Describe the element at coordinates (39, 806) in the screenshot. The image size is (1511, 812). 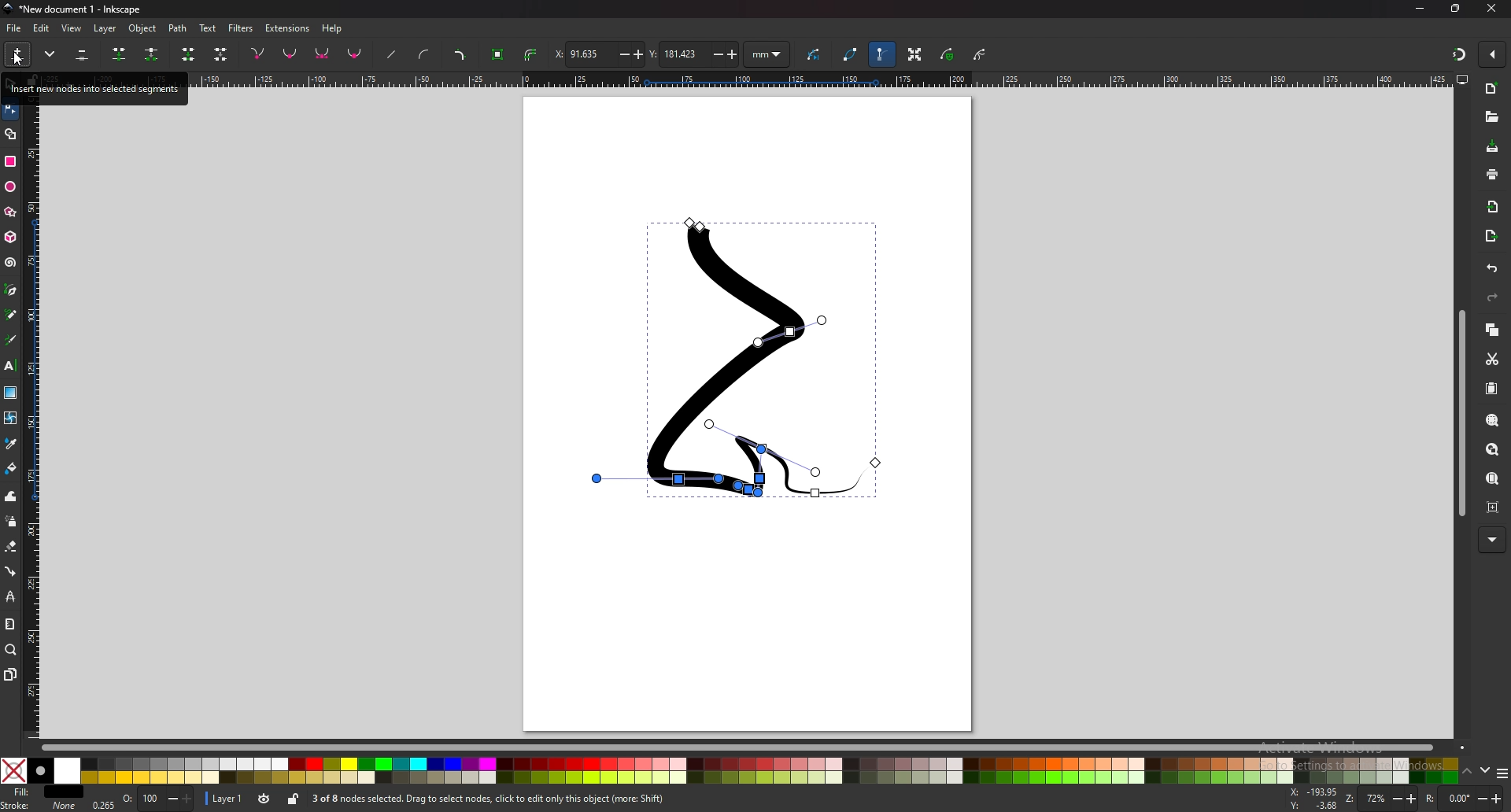
I see `stroke` at that location.